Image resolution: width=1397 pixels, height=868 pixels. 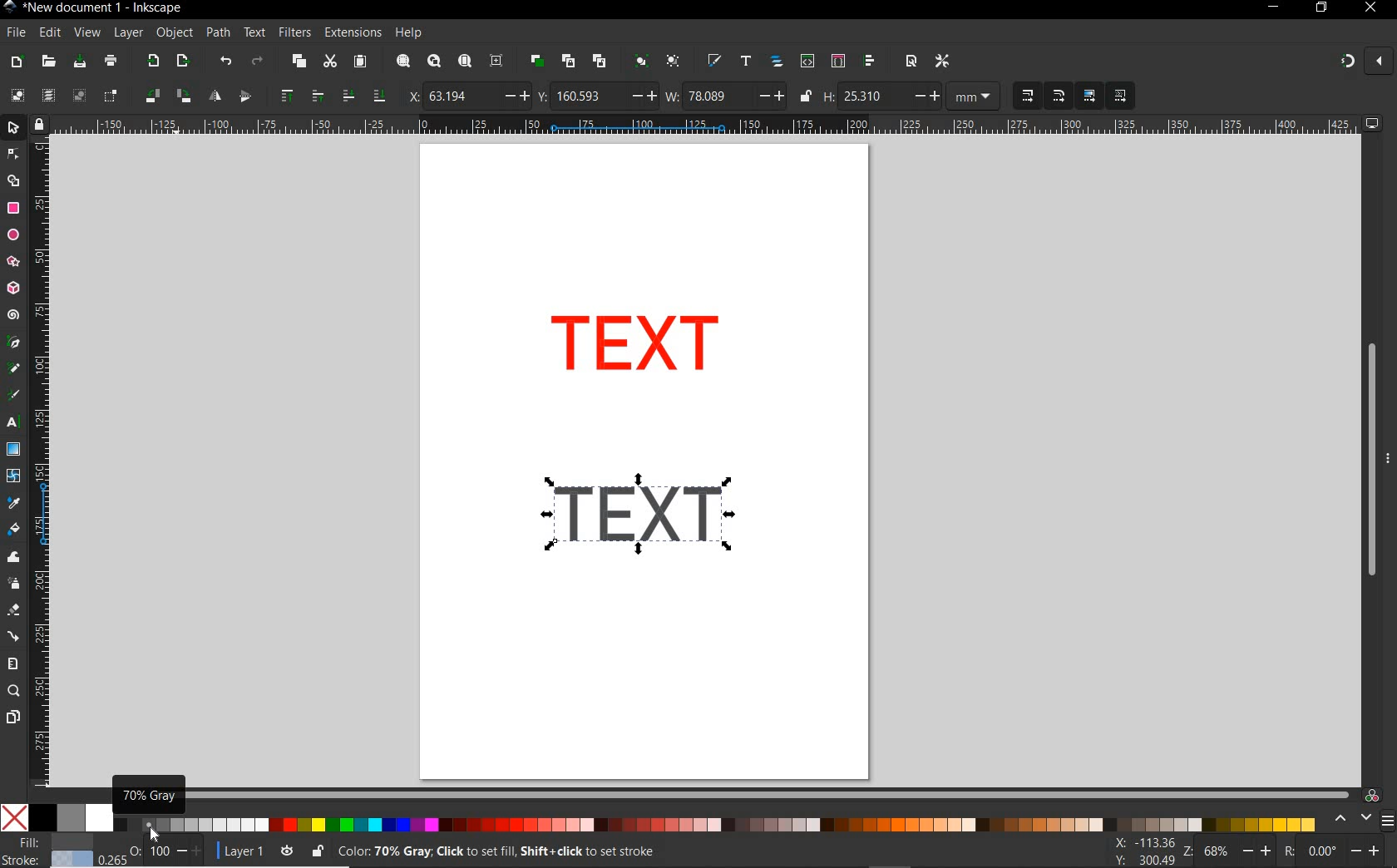 I want to click on Height of selection, so click(x=881, y=96).